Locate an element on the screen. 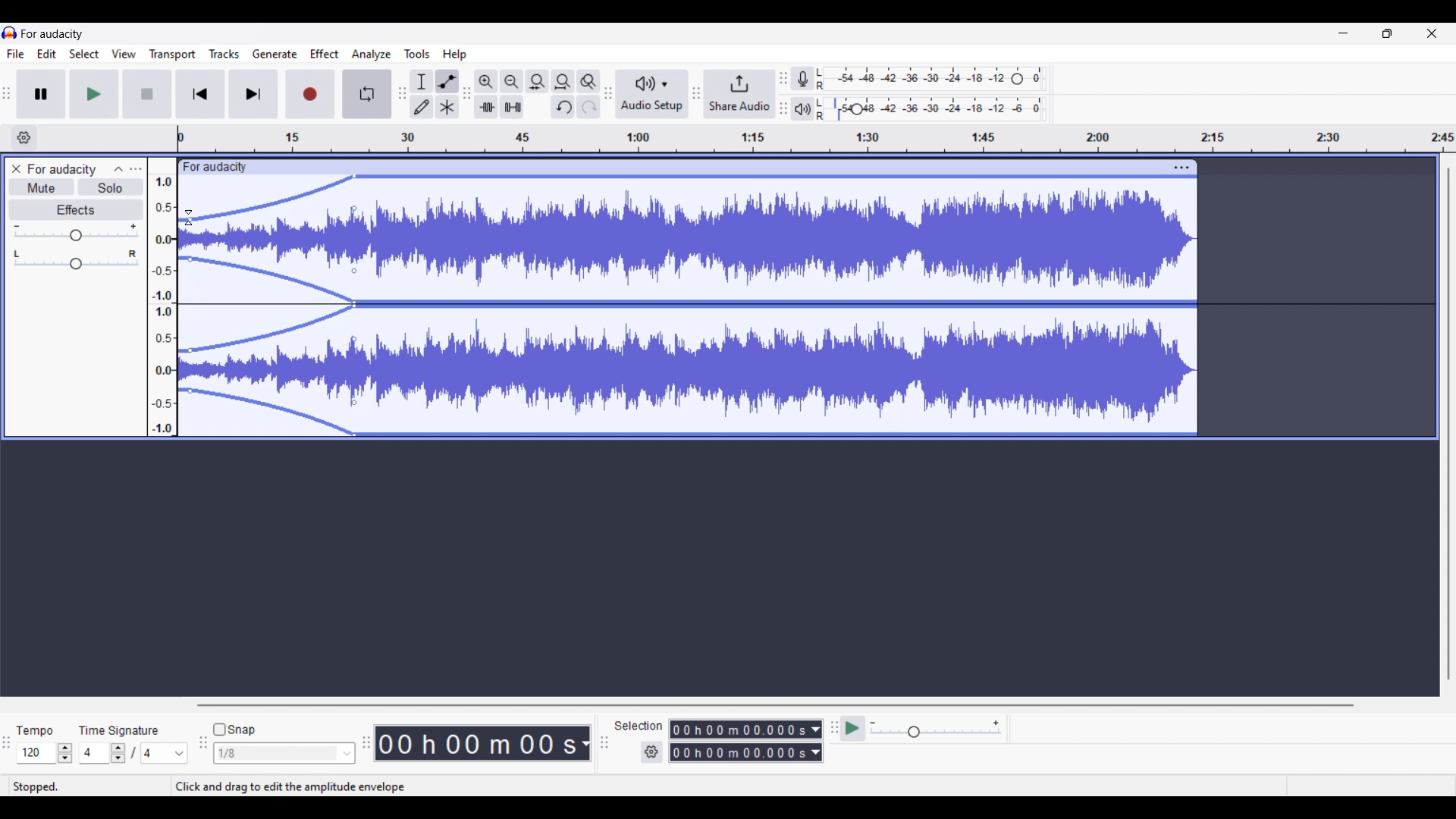 This screenshot has height=819, width=1456. Play/Play once is located at coordinates (95, 94).